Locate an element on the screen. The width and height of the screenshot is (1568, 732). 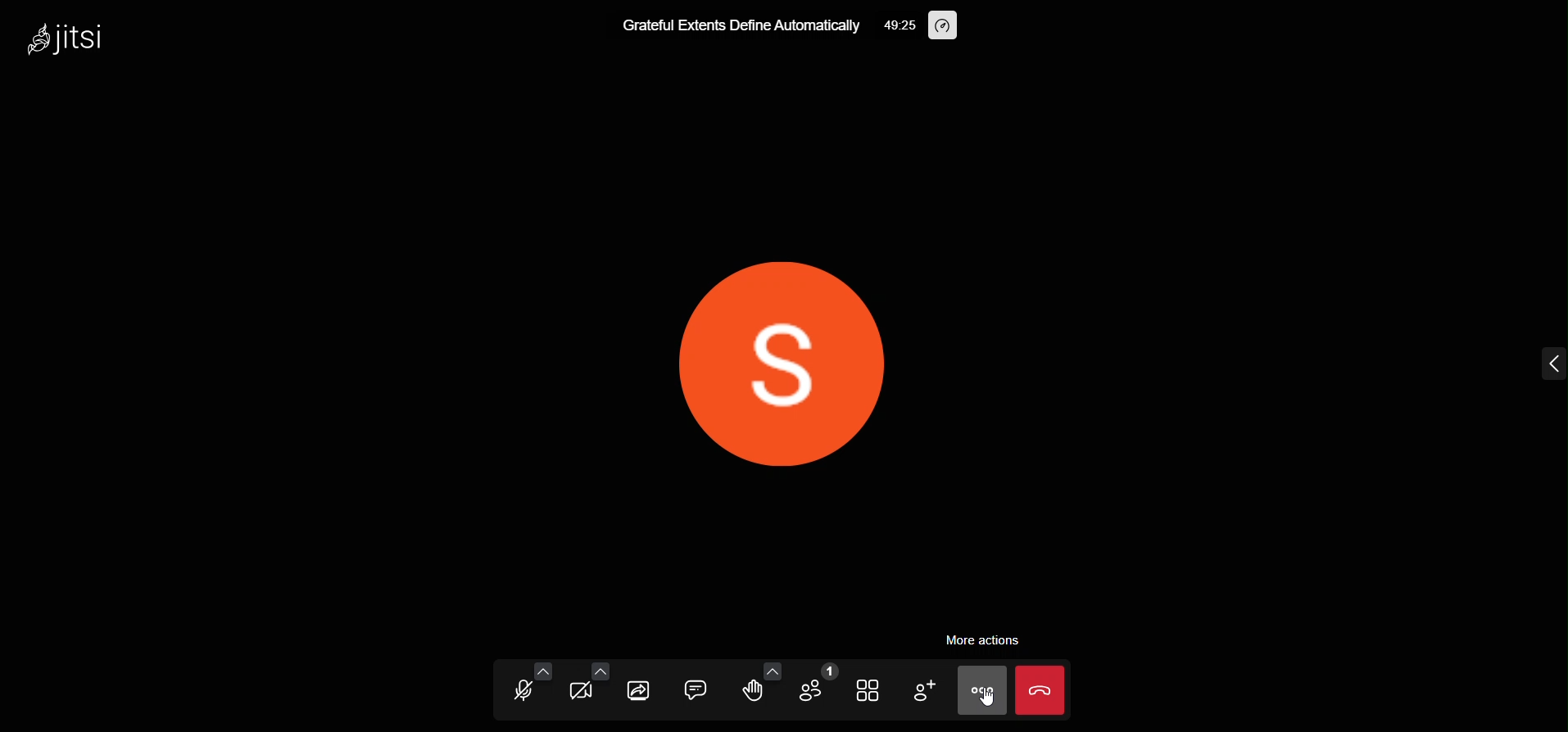
tile view is located at coordinates (866, 686).